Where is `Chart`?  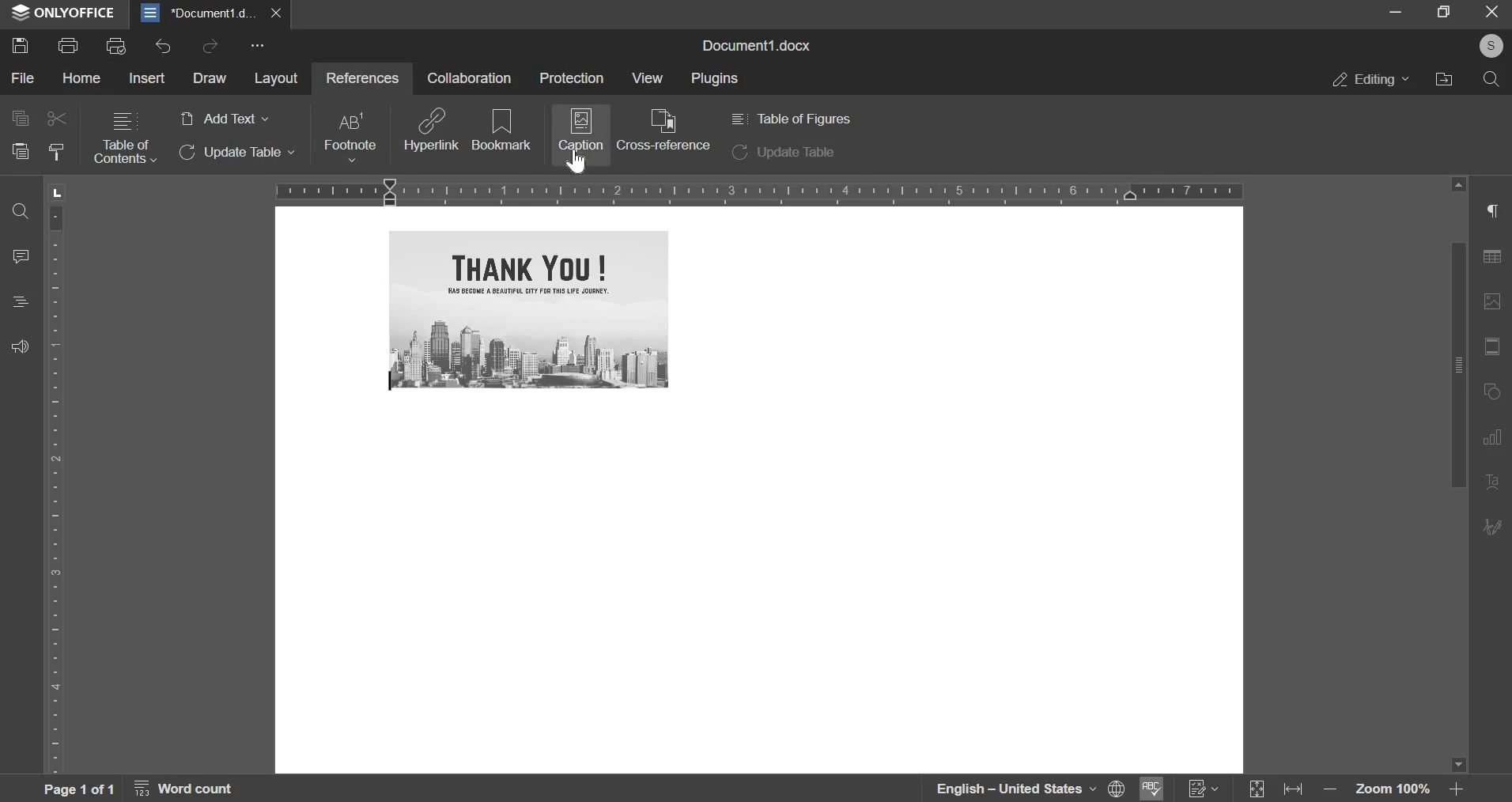
Chart is located at coordinates (1497, 437).